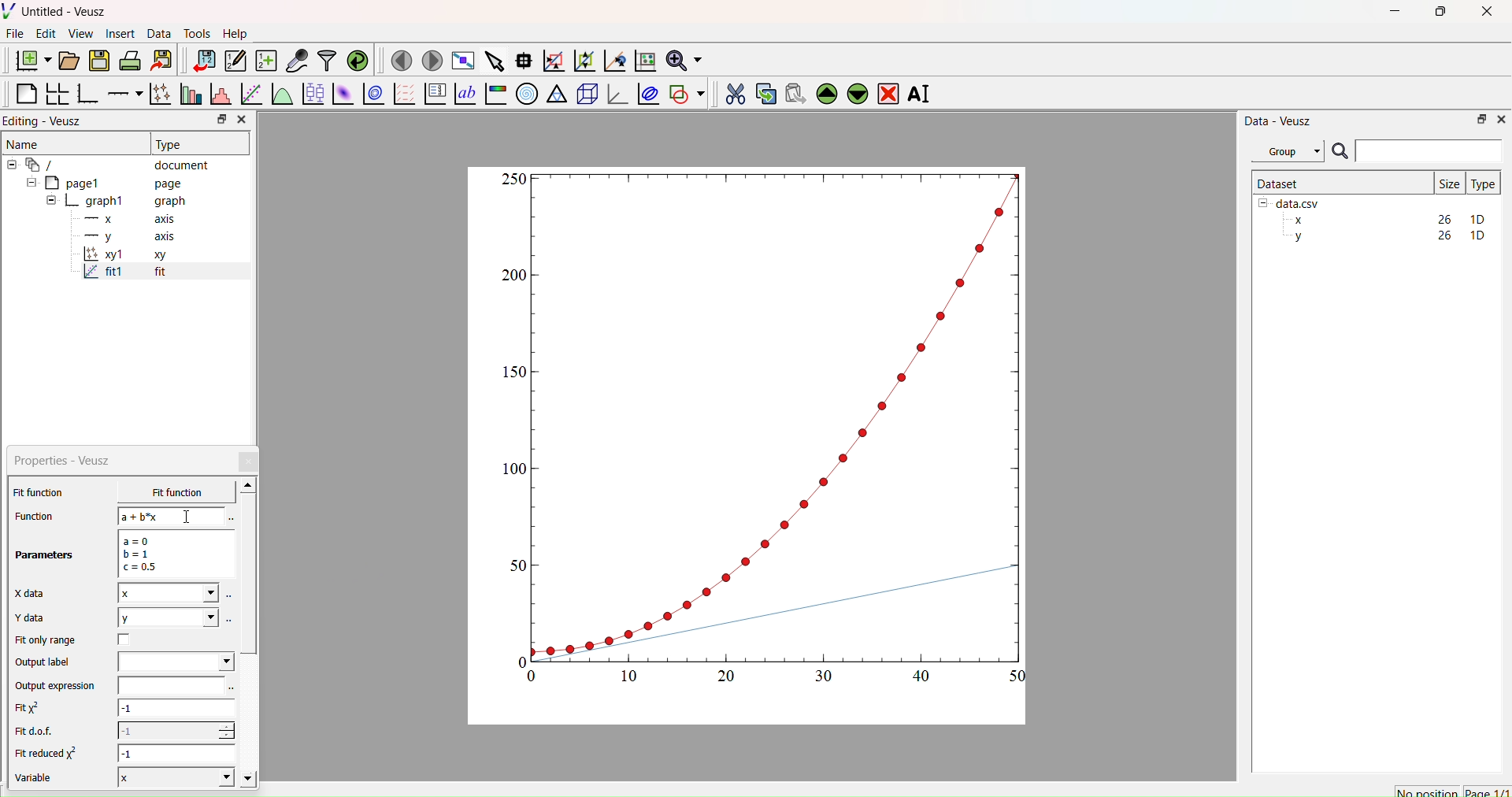 The image size is (1512, 797). Describe the element at coordinates (194, 32) in the screenshot. I see `Tools` at that location.